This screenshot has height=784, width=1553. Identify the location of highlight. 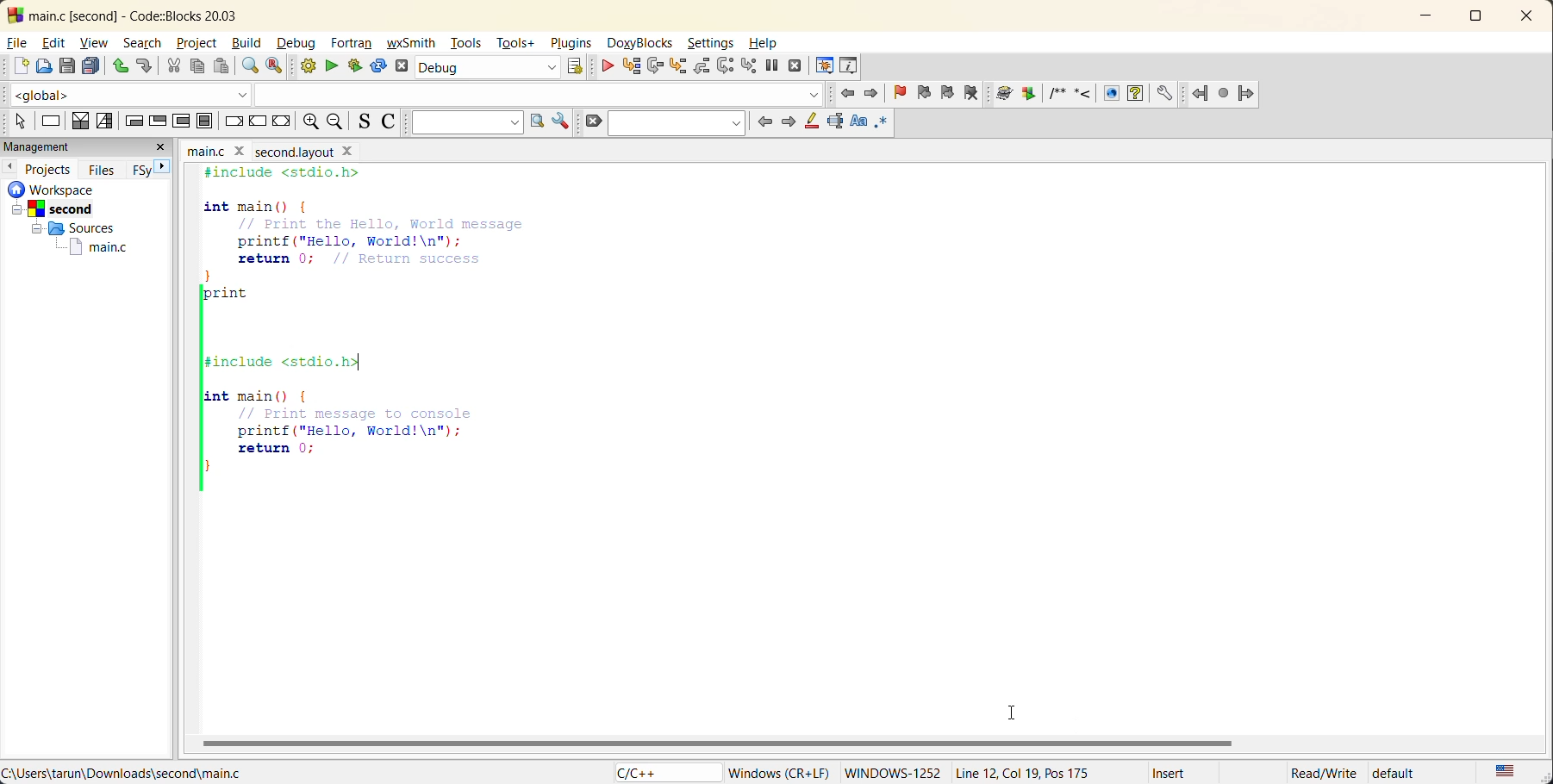
(812, 124).